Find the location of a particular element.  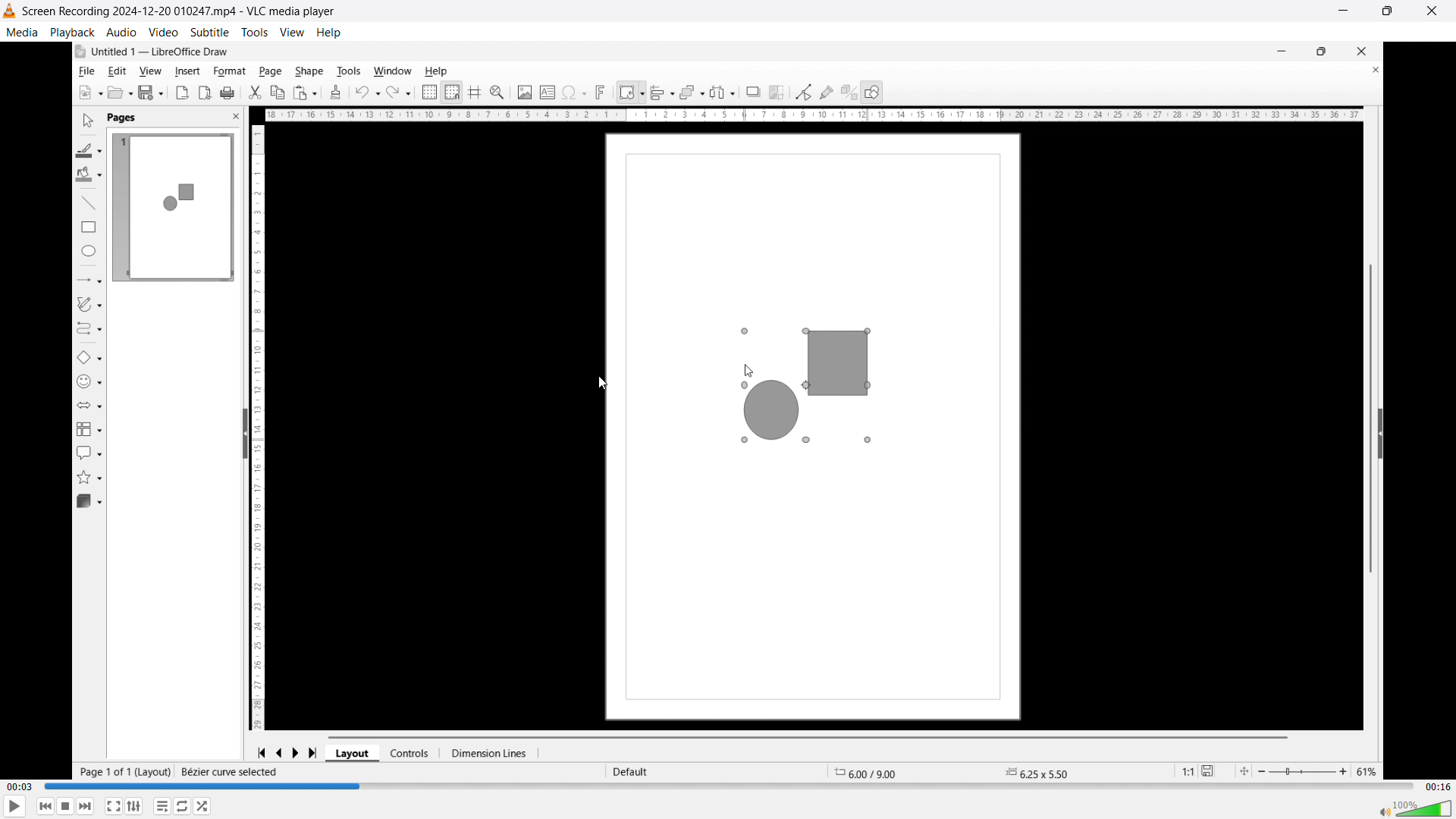

Screen Recording 2024-12-20 010247.mp4 - VLC media player is located at coordinates (174, 11).